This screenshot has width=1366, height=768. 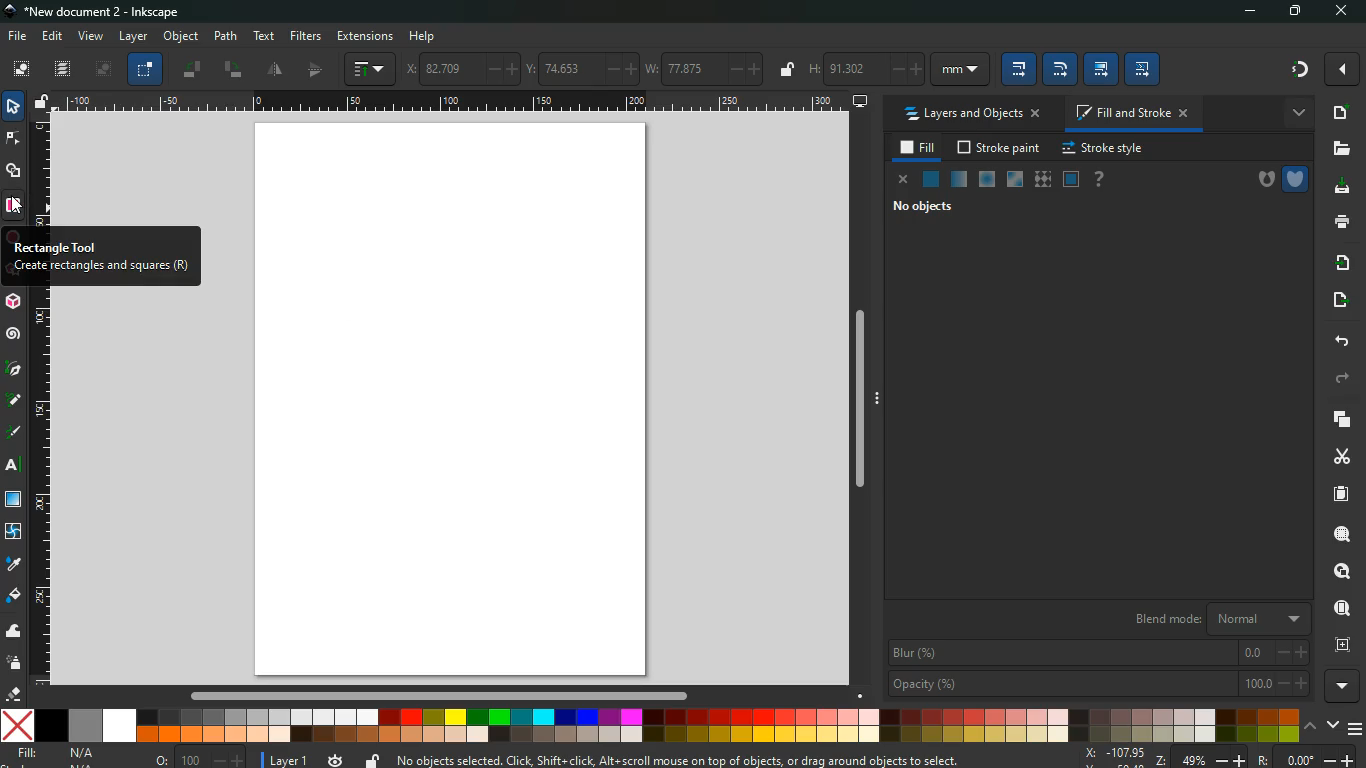 I want to click on receive, so click(x=1345, y=264).